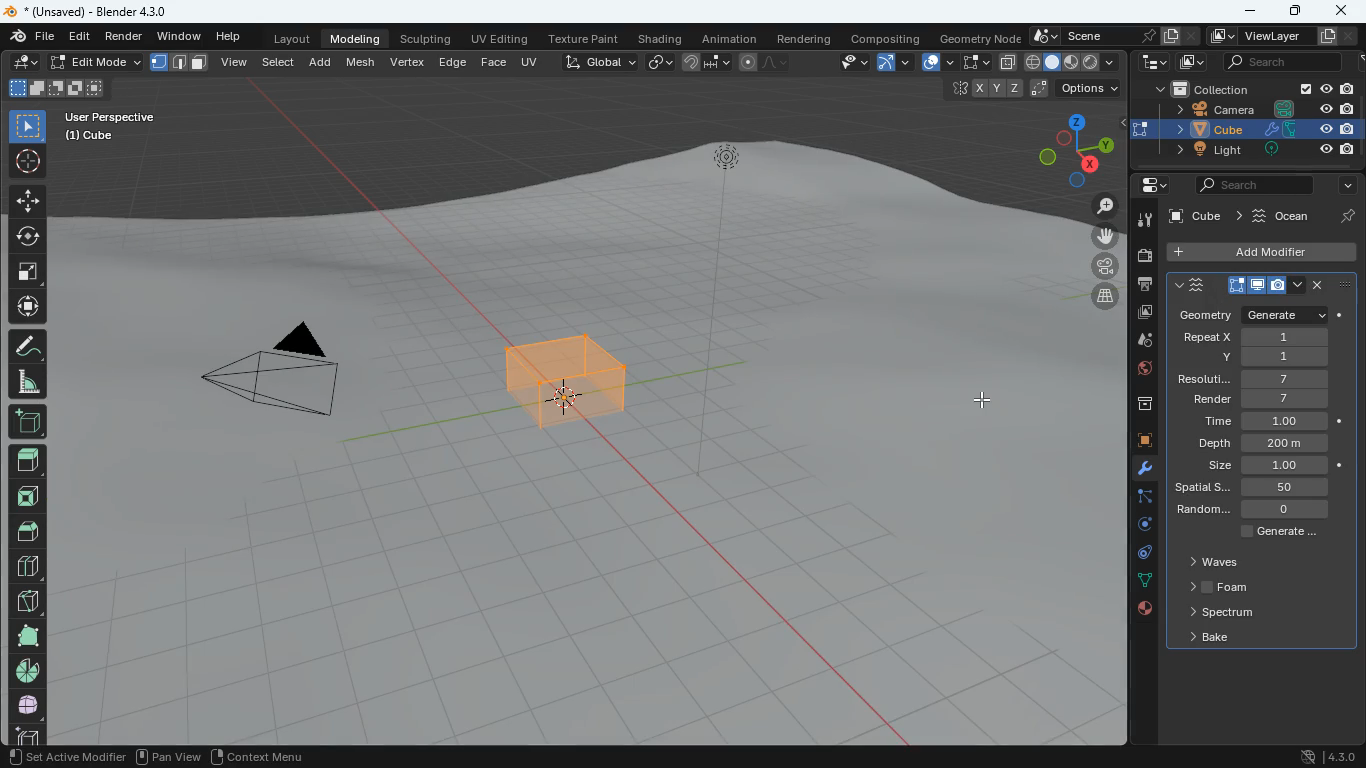 This screenshot has width=1366, height=768. What do you see at coordinates (26, 423) in the screenshot?
I see `add` at bounding box center [26, 423].